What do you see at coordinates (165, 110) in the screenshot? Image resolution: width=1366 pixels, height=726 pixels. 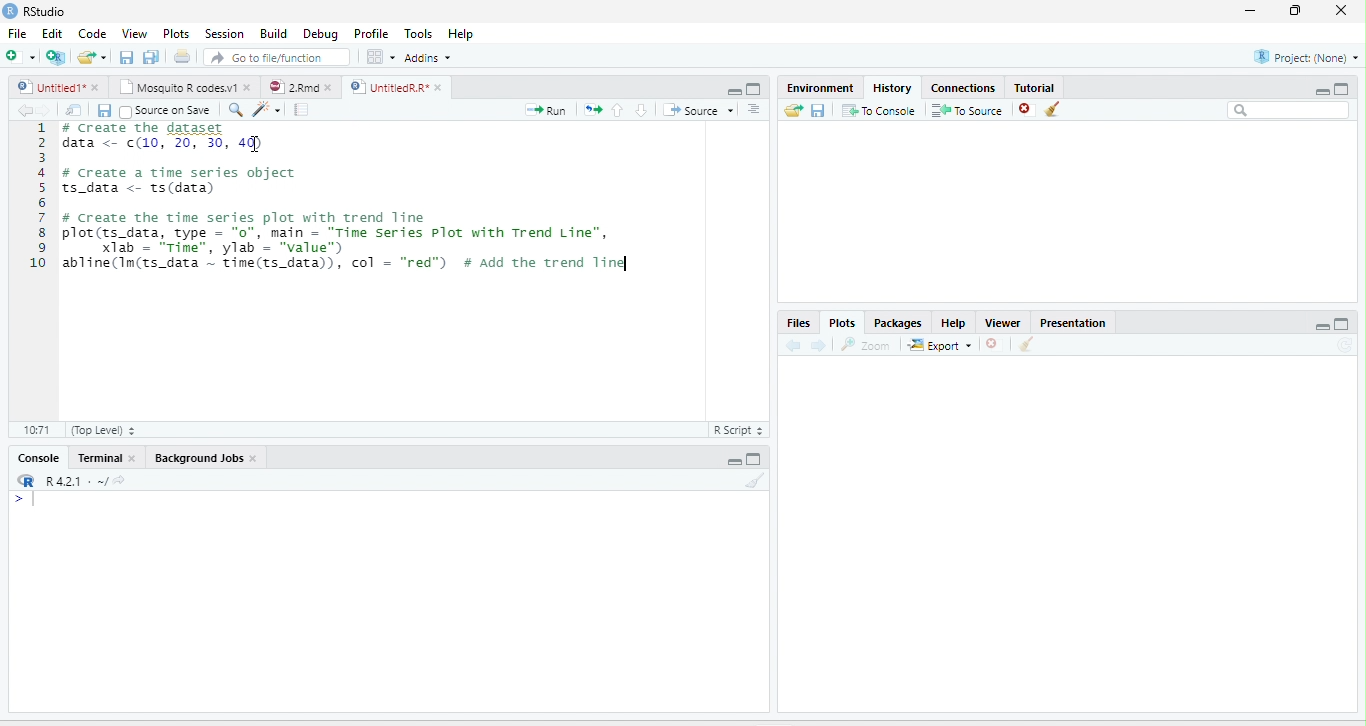 I see `Source on Save` at bounding box center [165, 110].